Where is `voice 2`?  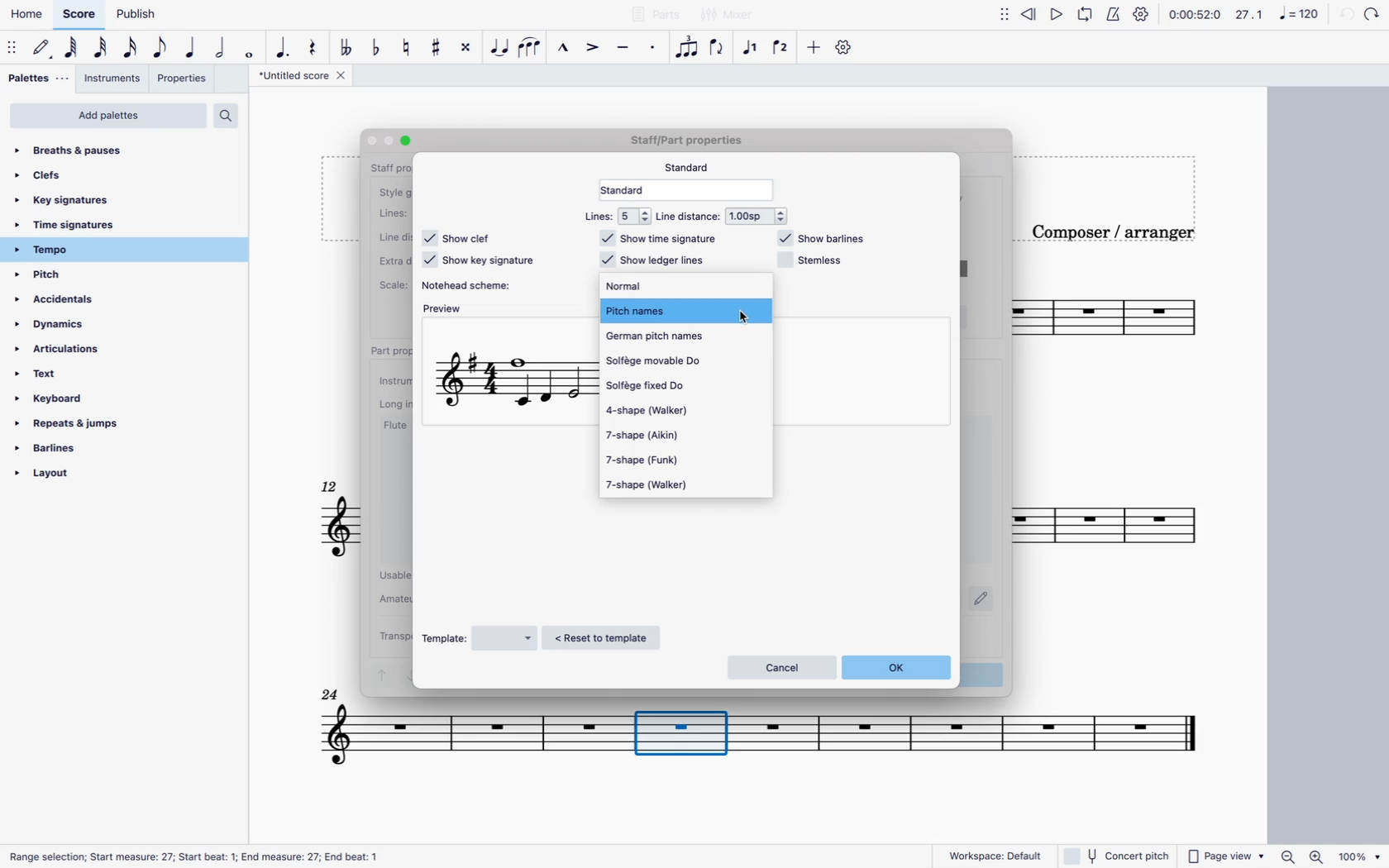
voice 2 is located at coordinates (783, 43).